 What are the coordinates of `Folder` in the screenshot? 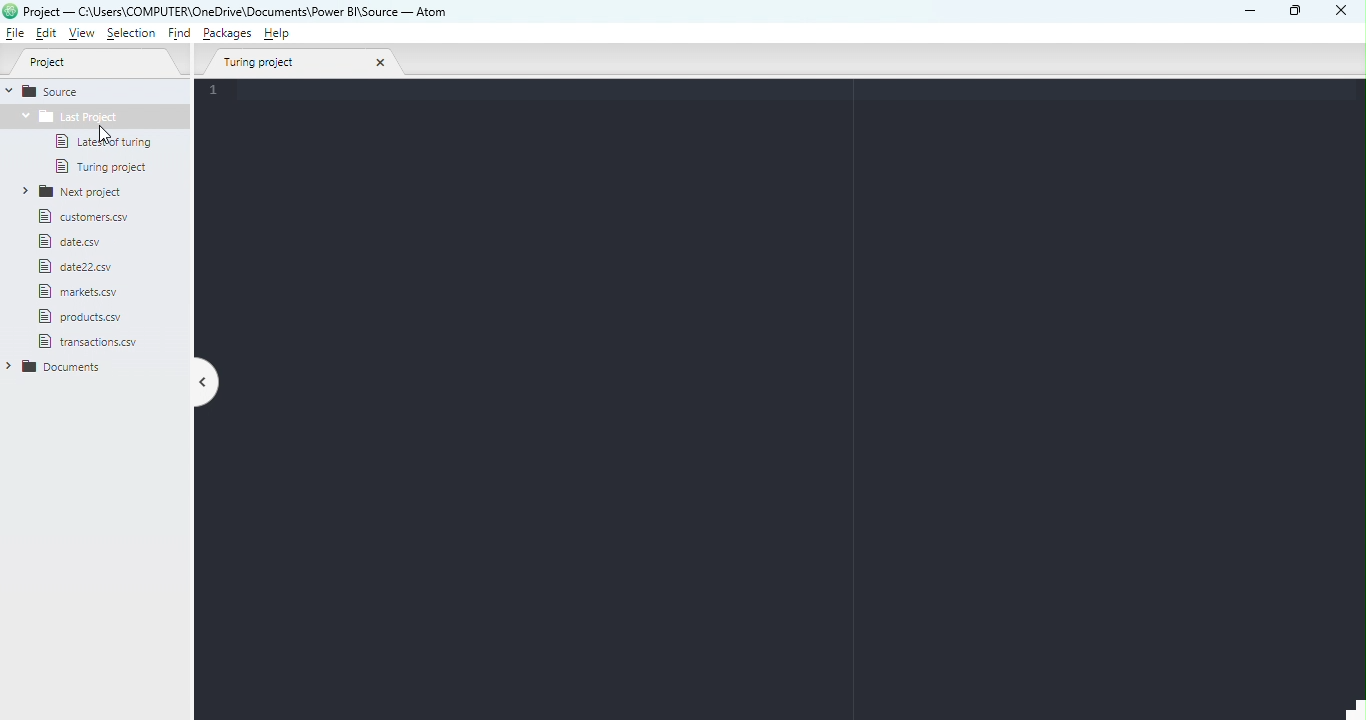 It's located at (93, 119).